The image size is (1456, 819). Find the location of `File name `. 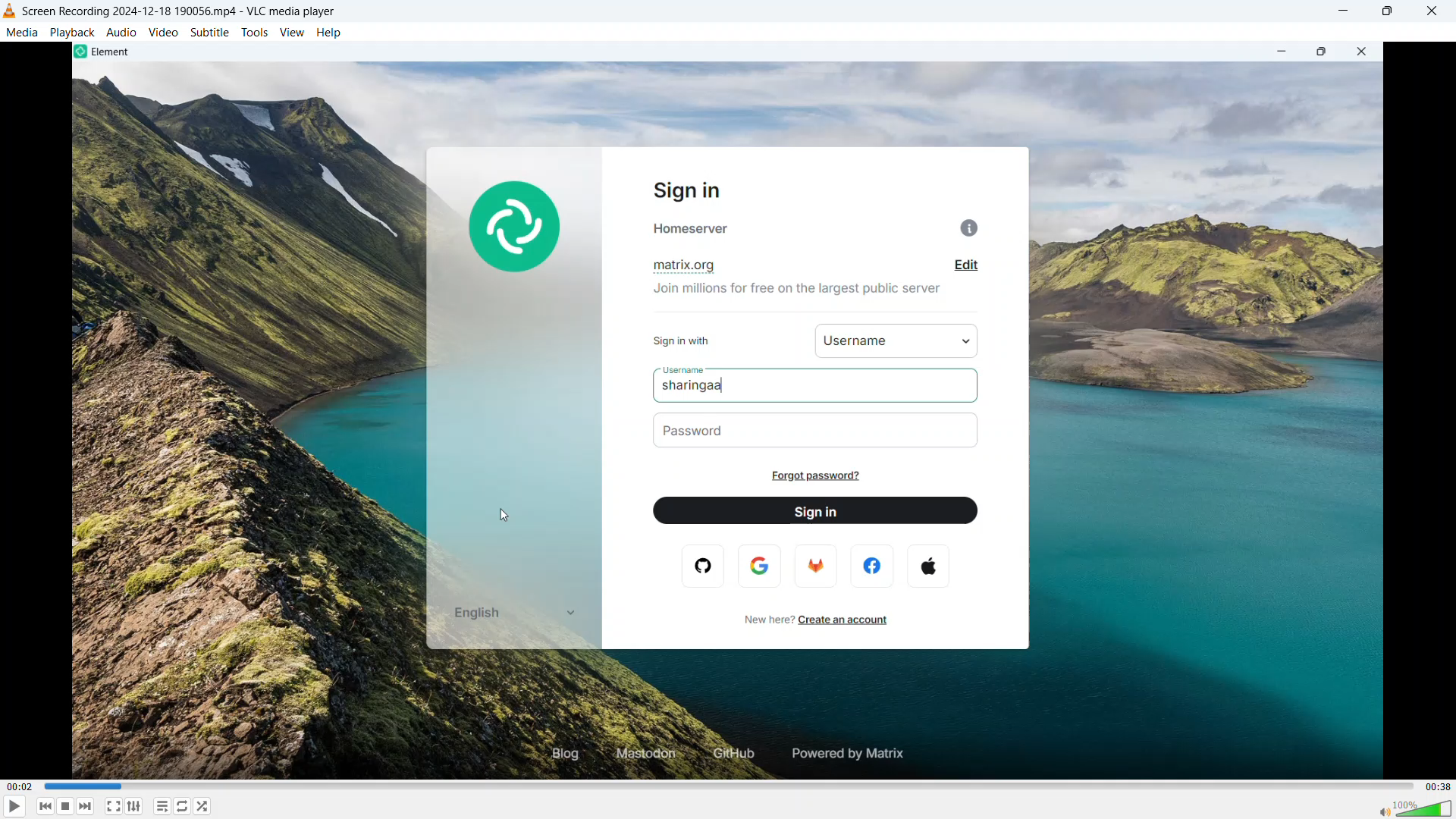

File name  is located at coordinates (180, 11).